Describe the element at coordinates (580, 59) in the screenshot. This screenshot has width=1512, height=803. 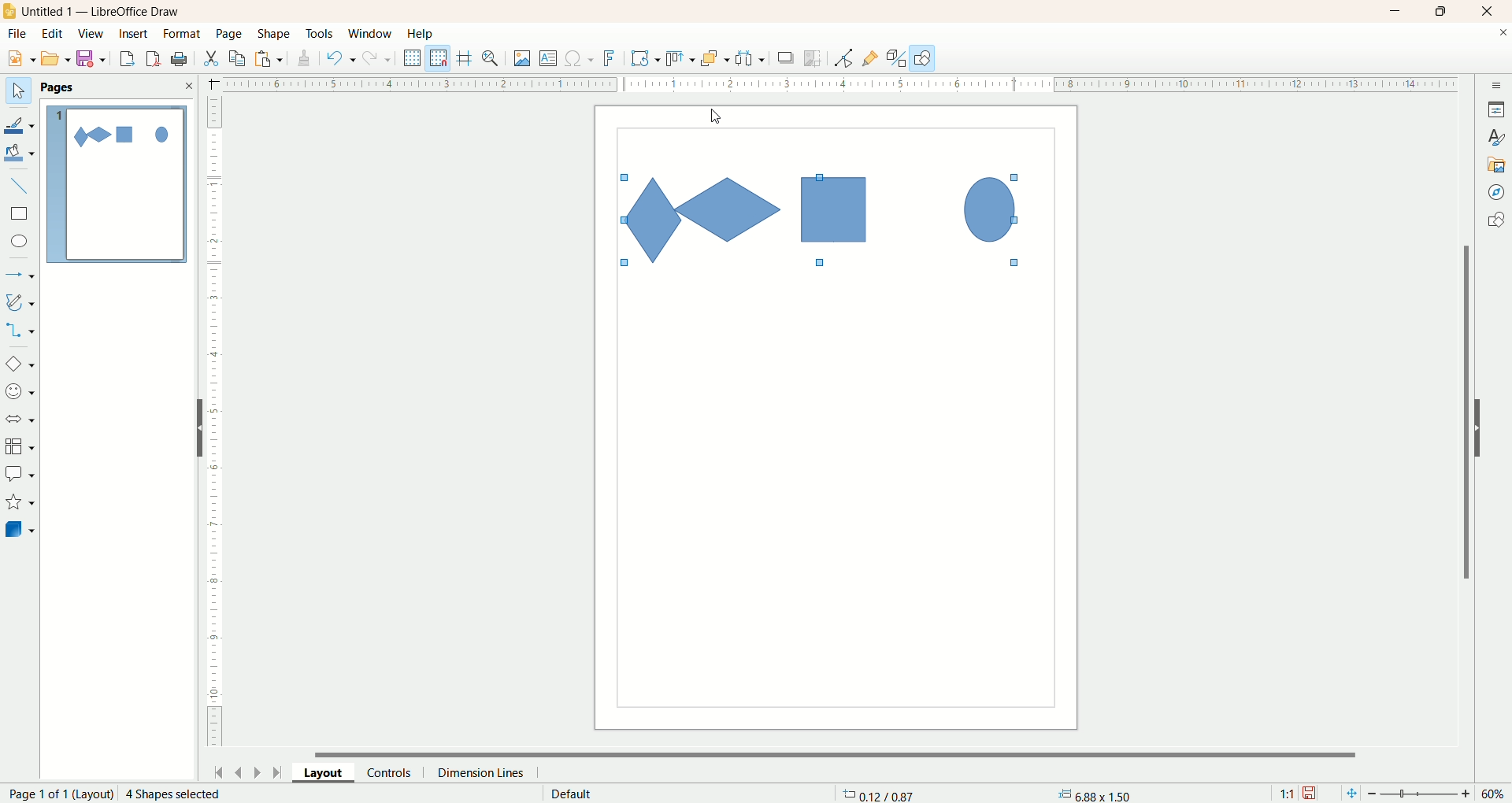
I see `special character` at that location.